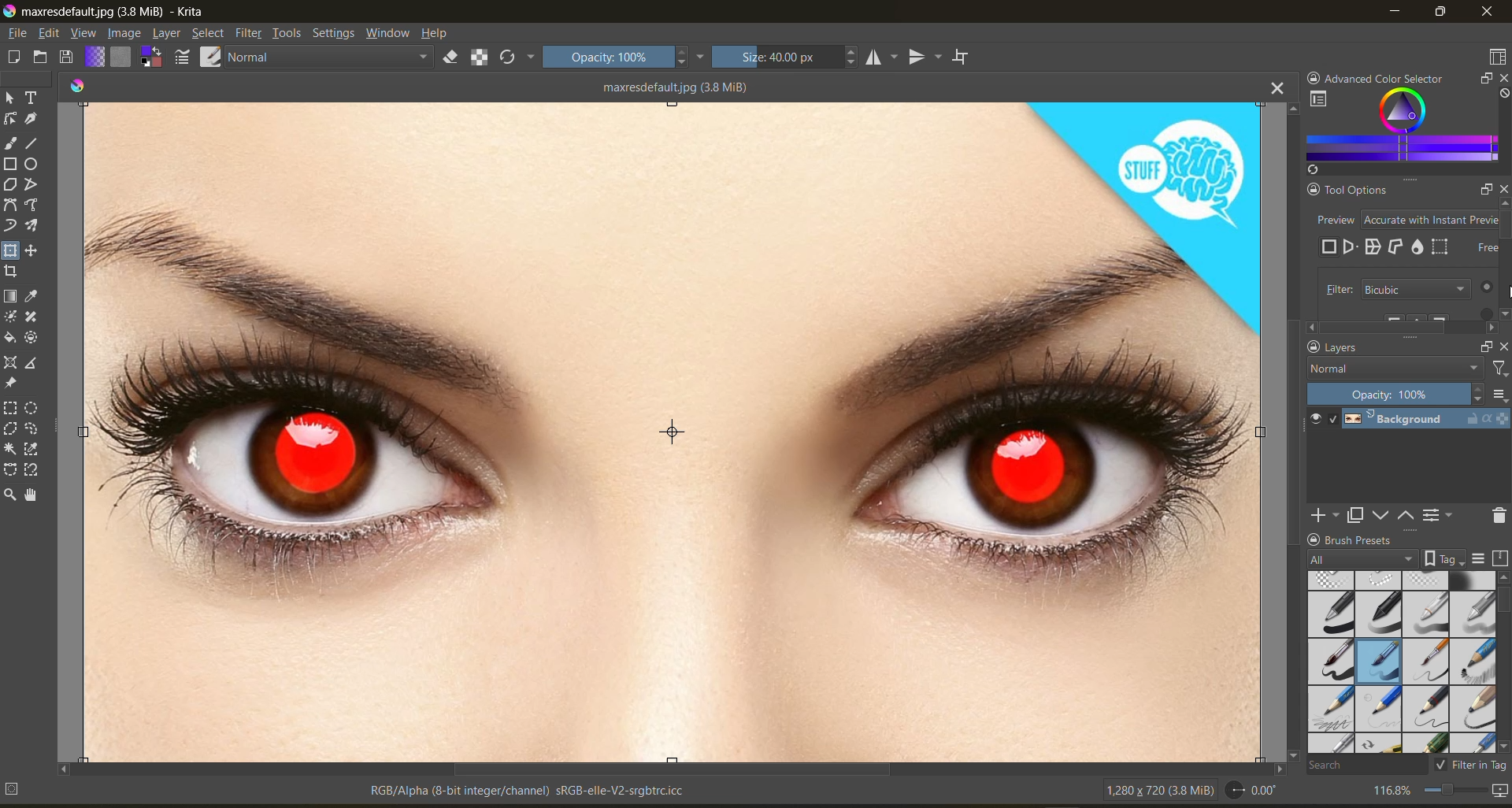  What do you see at coordinates (69, 57) in the screenshot?
I see `save` at bounding box center [69, 57].